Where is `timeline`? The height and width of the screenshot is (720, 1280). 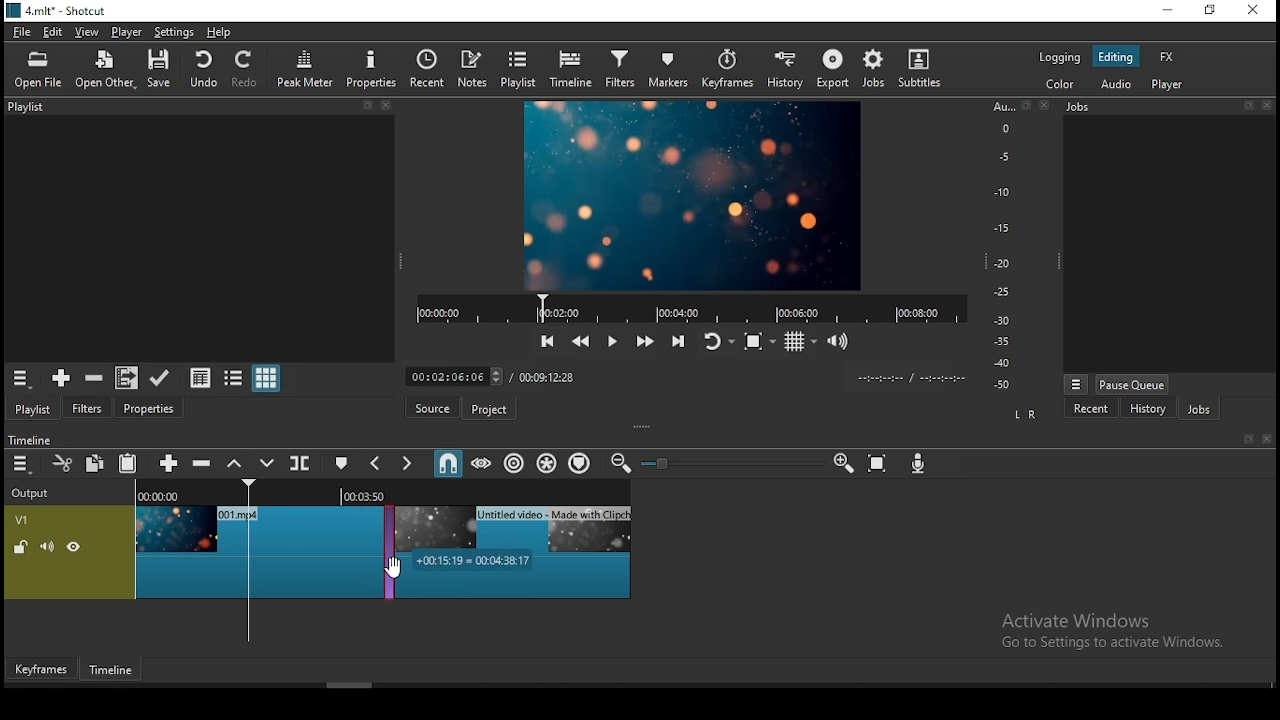
timeline is located at coordinates (28, 438).